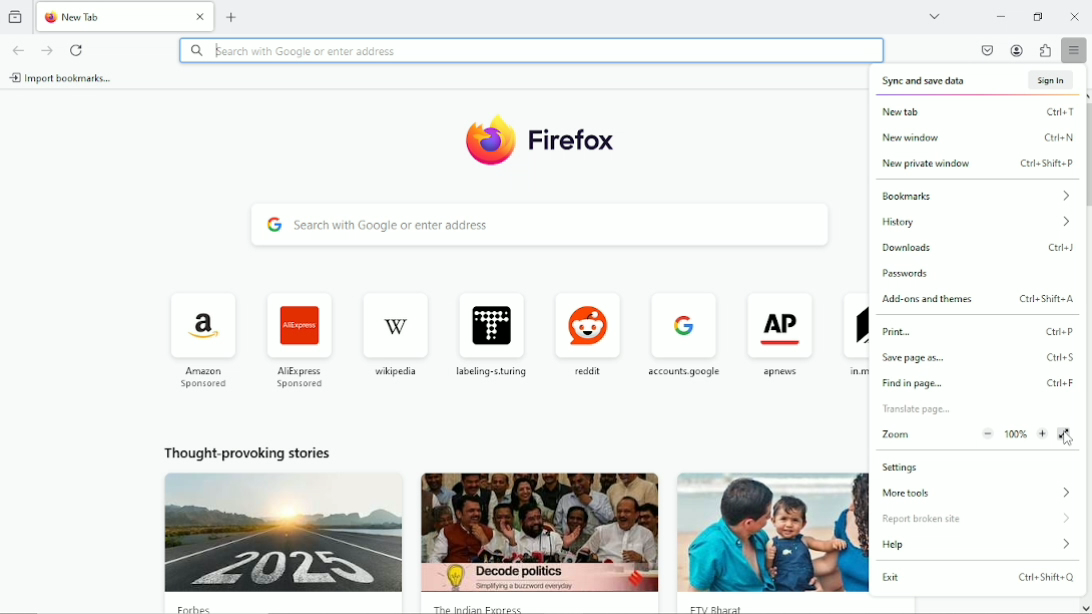  Describe the element at coordinates (771, 530) in the screenshot. I see `image` at that location.